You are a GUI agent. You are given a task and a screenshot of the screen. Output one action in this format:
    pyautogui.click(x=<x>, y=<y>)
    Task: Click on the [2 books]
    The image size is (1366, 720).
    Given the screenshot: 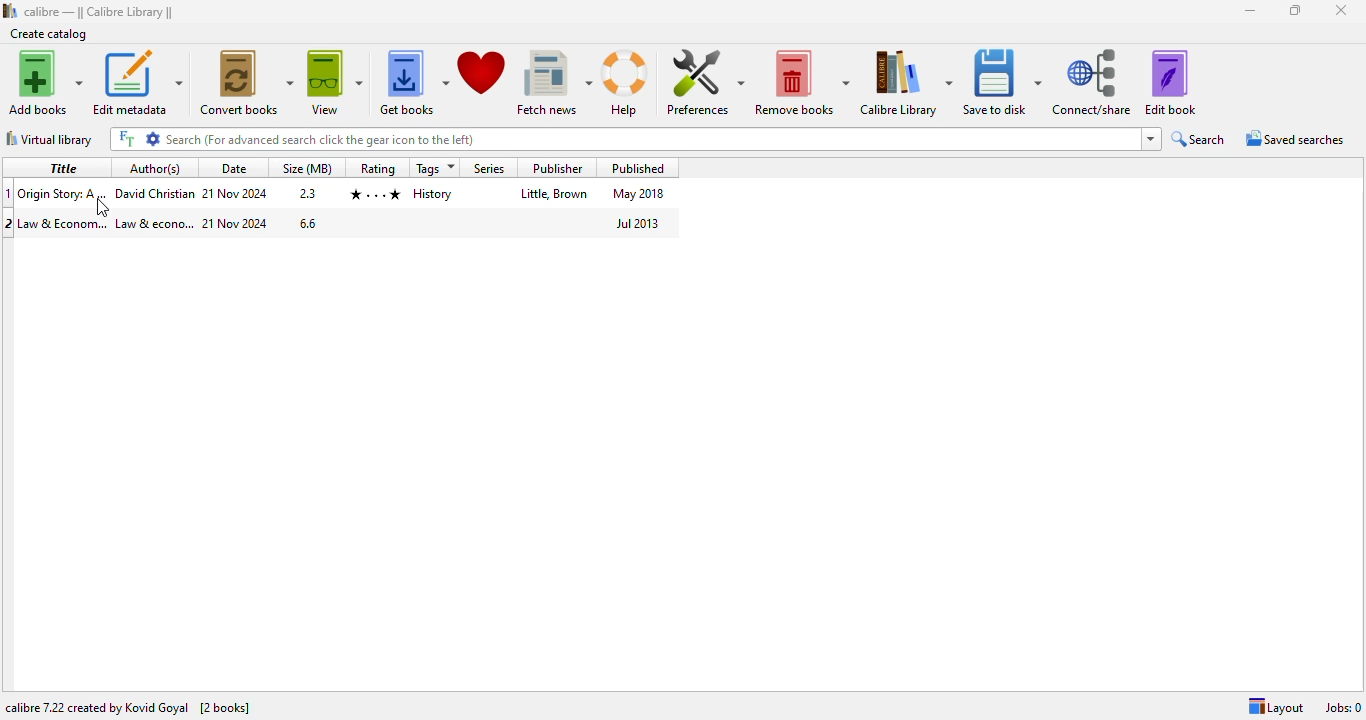 What is the action you would take?
    pyautogui.click(x=225, y=708)
    